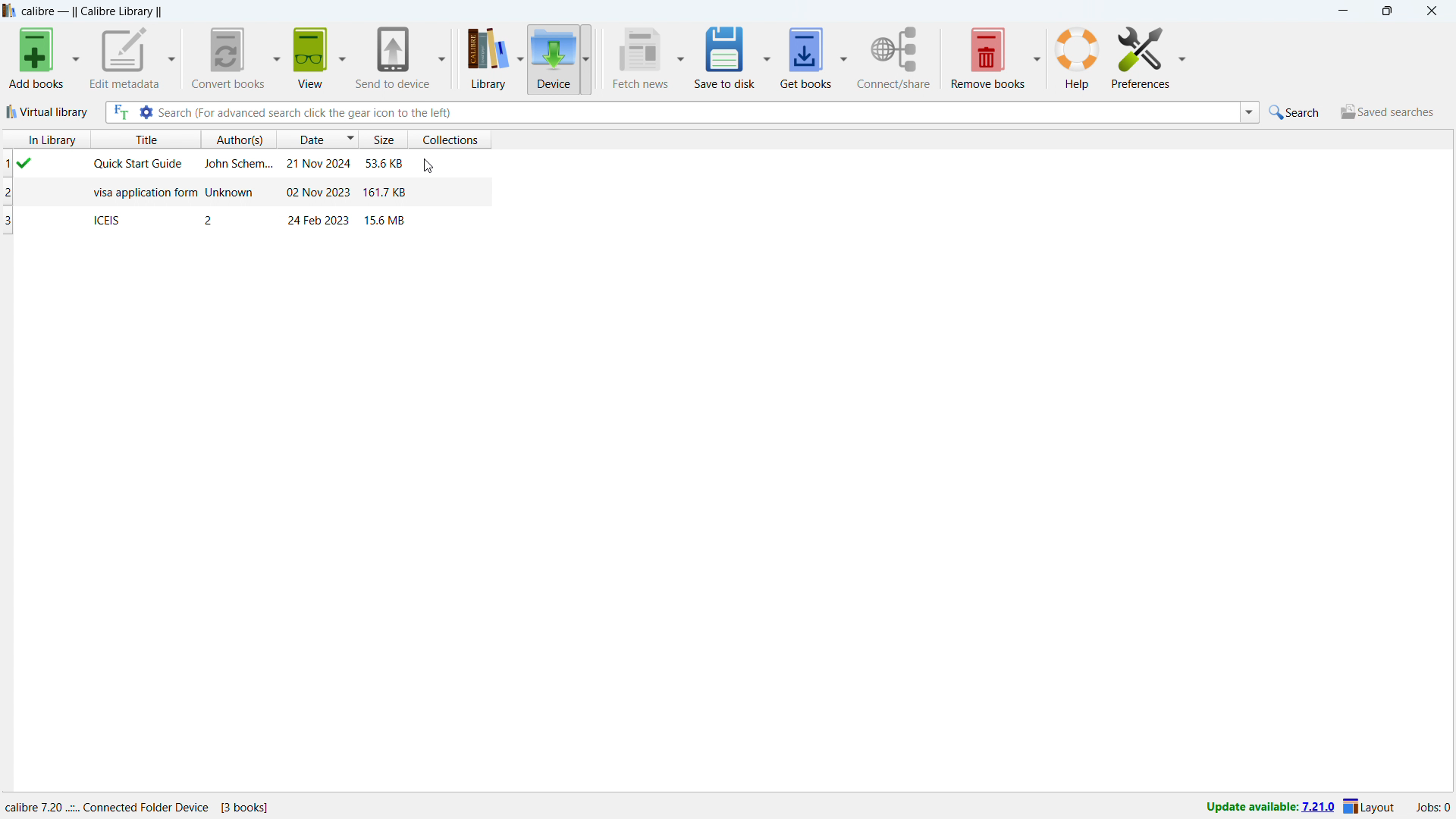  What do you see at coordinates (240, 140) in the screenshot?
I see `sort by authors` at bounding box center [240, 140].